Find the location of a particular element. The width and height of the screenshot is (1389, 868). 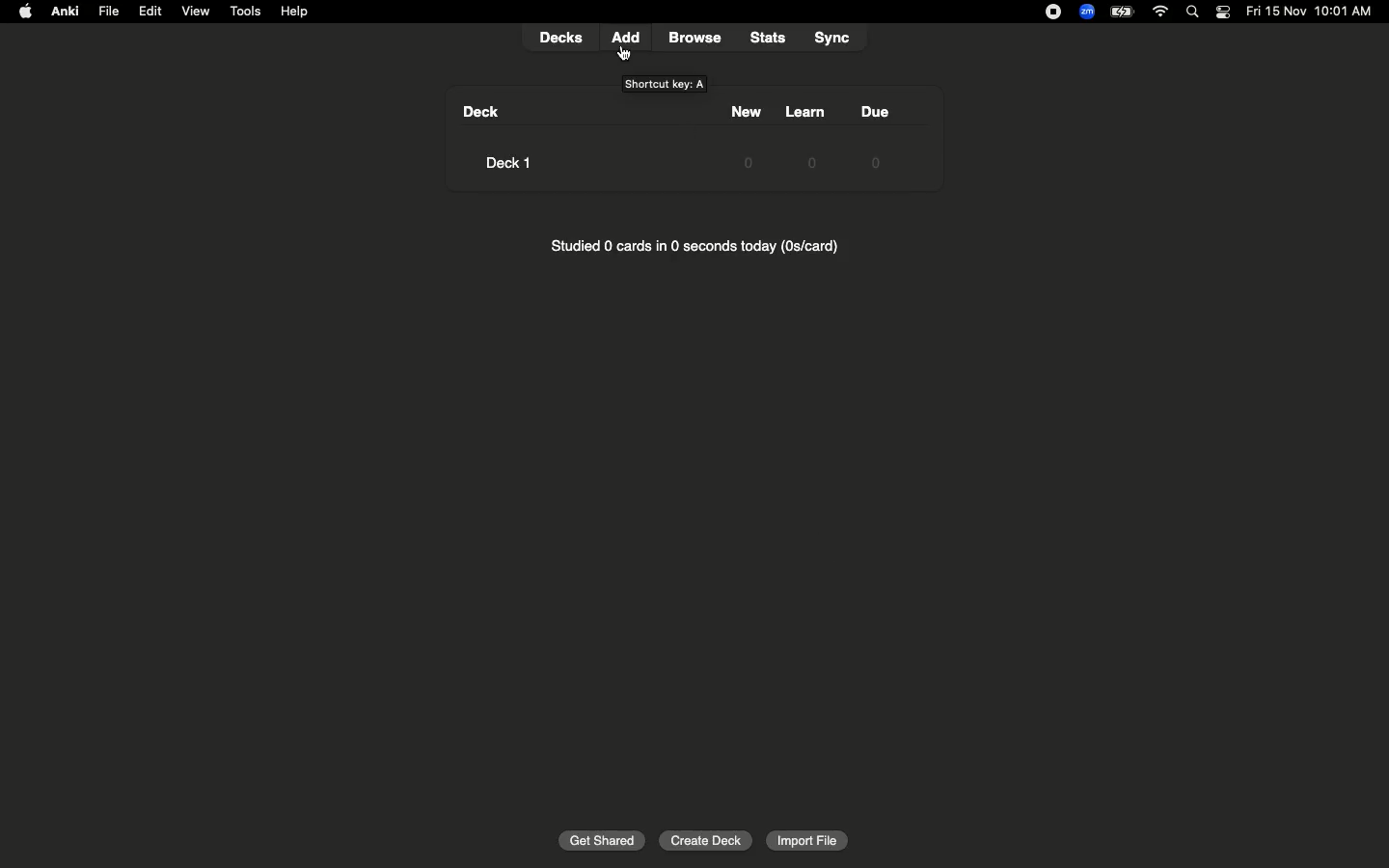

File is located at coordinates (106, 12).